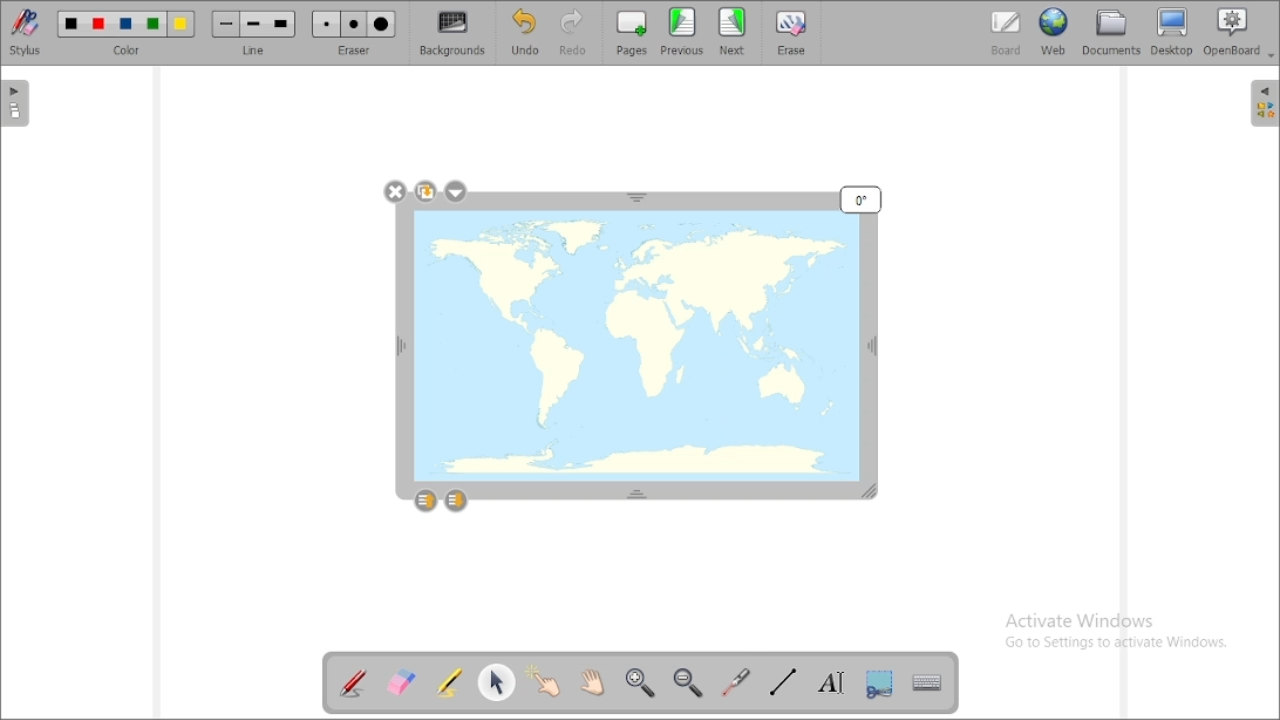 Image resolution: width=1280 pixels, height=720 pixels. What do you see at coordinates (1111, 33) in the screenshot?
I see `documents` at bounding box center [1111, 33].